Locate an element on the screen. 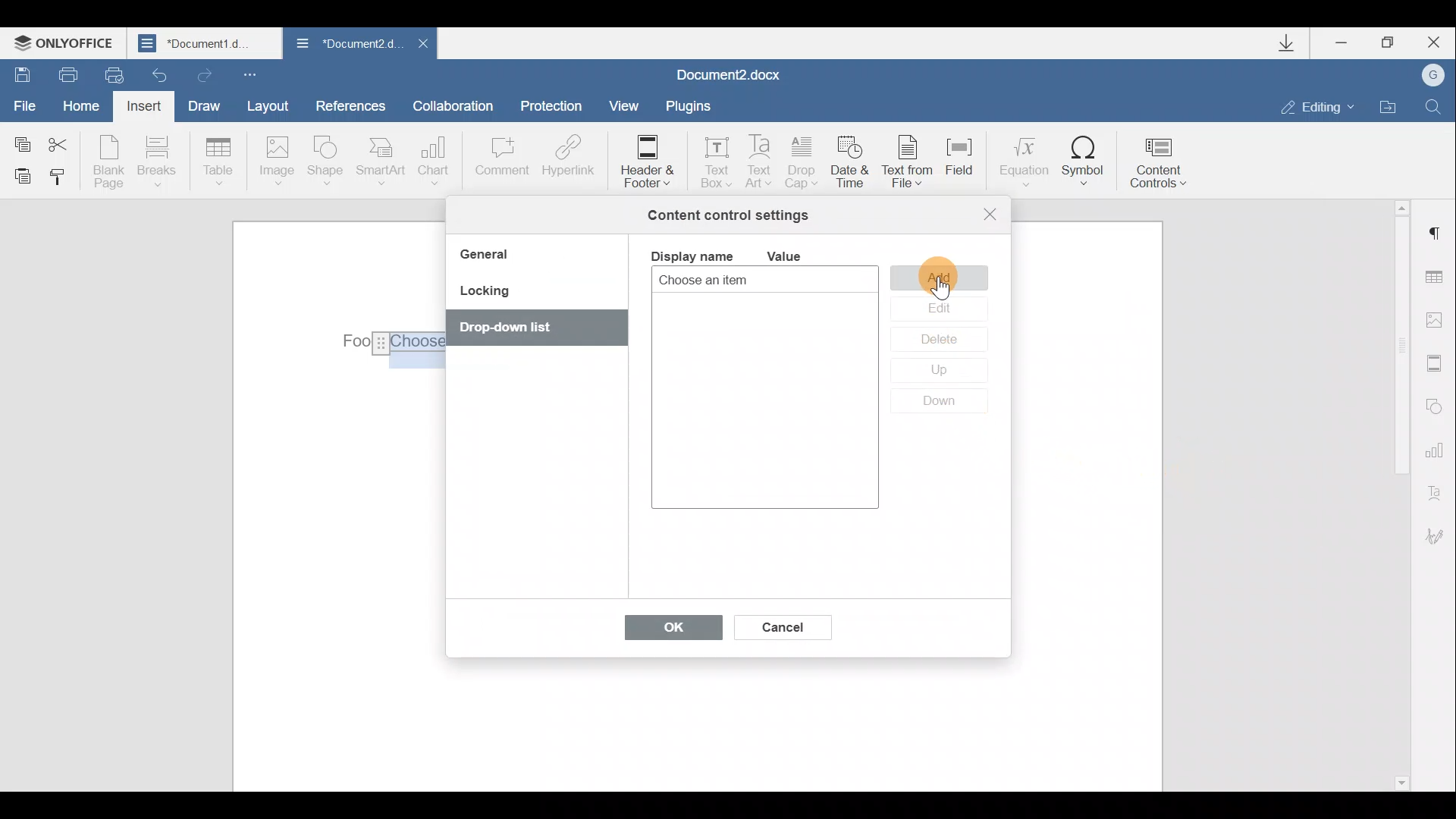 The height and width of the screenshot is (819, 1456). Copy is located at coordinates (21, 141).